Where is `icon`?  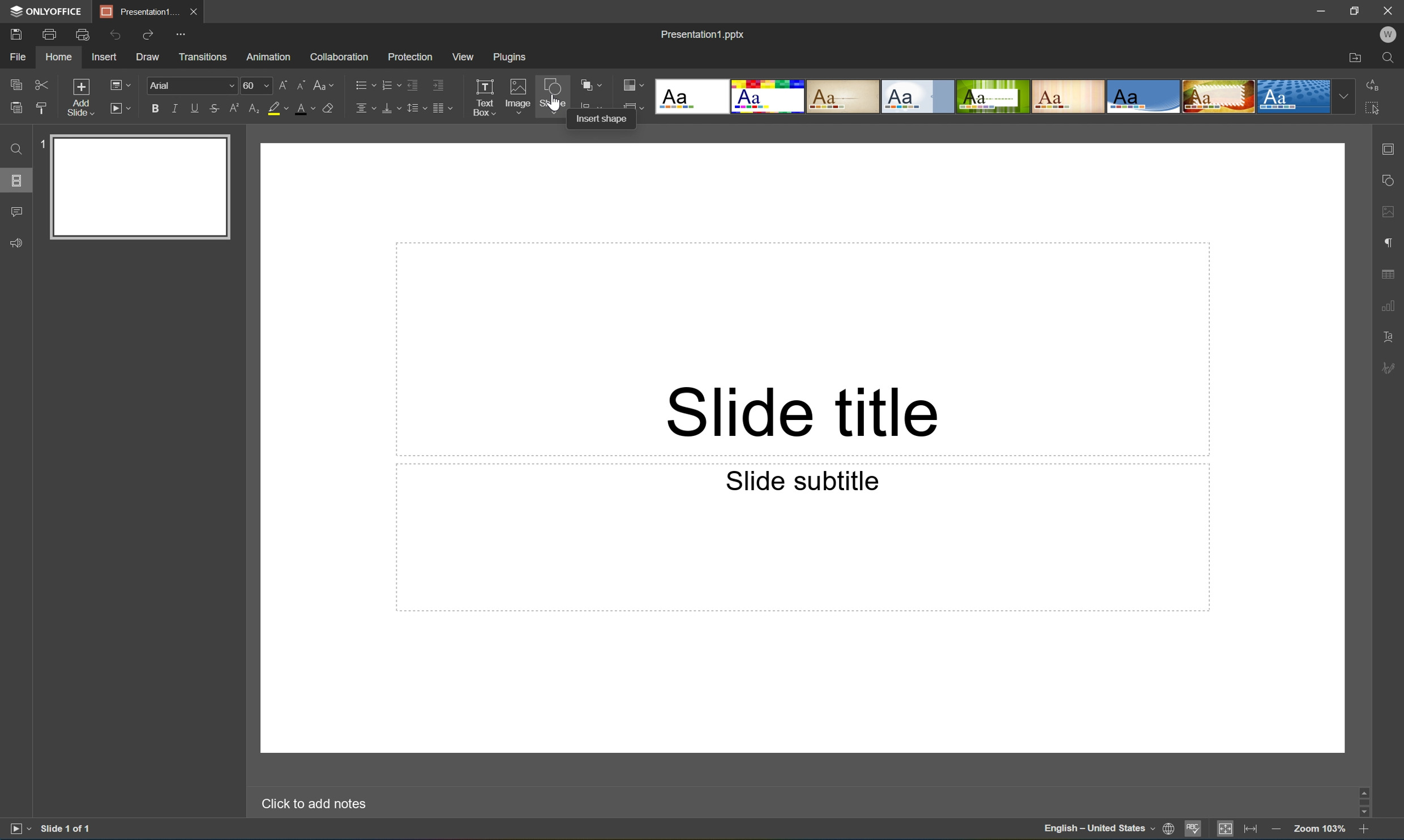
icon is located at coordinates (631, 104).